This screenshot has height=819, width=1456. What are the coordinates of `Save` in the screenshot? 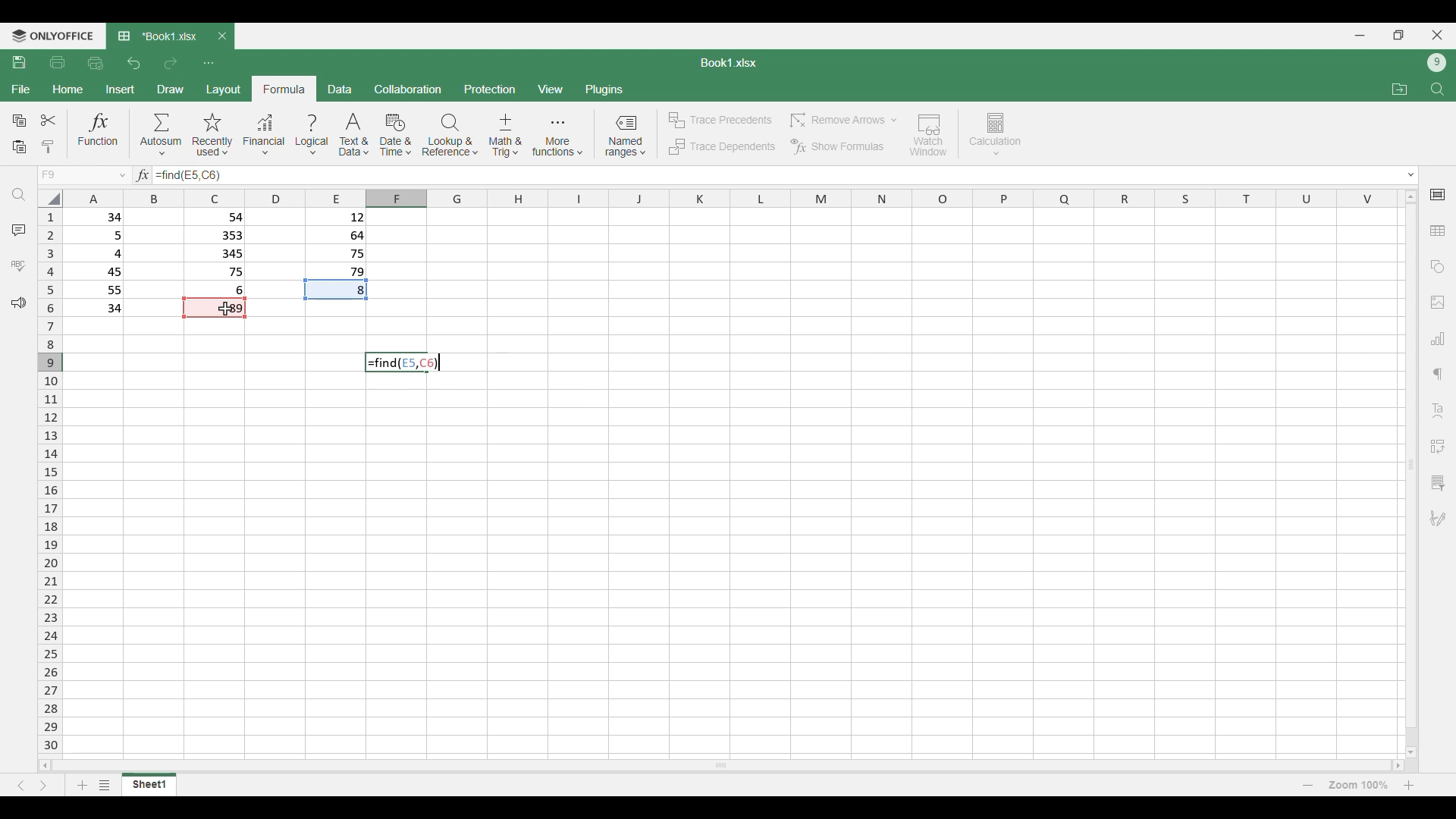 It's located at (20, 62).